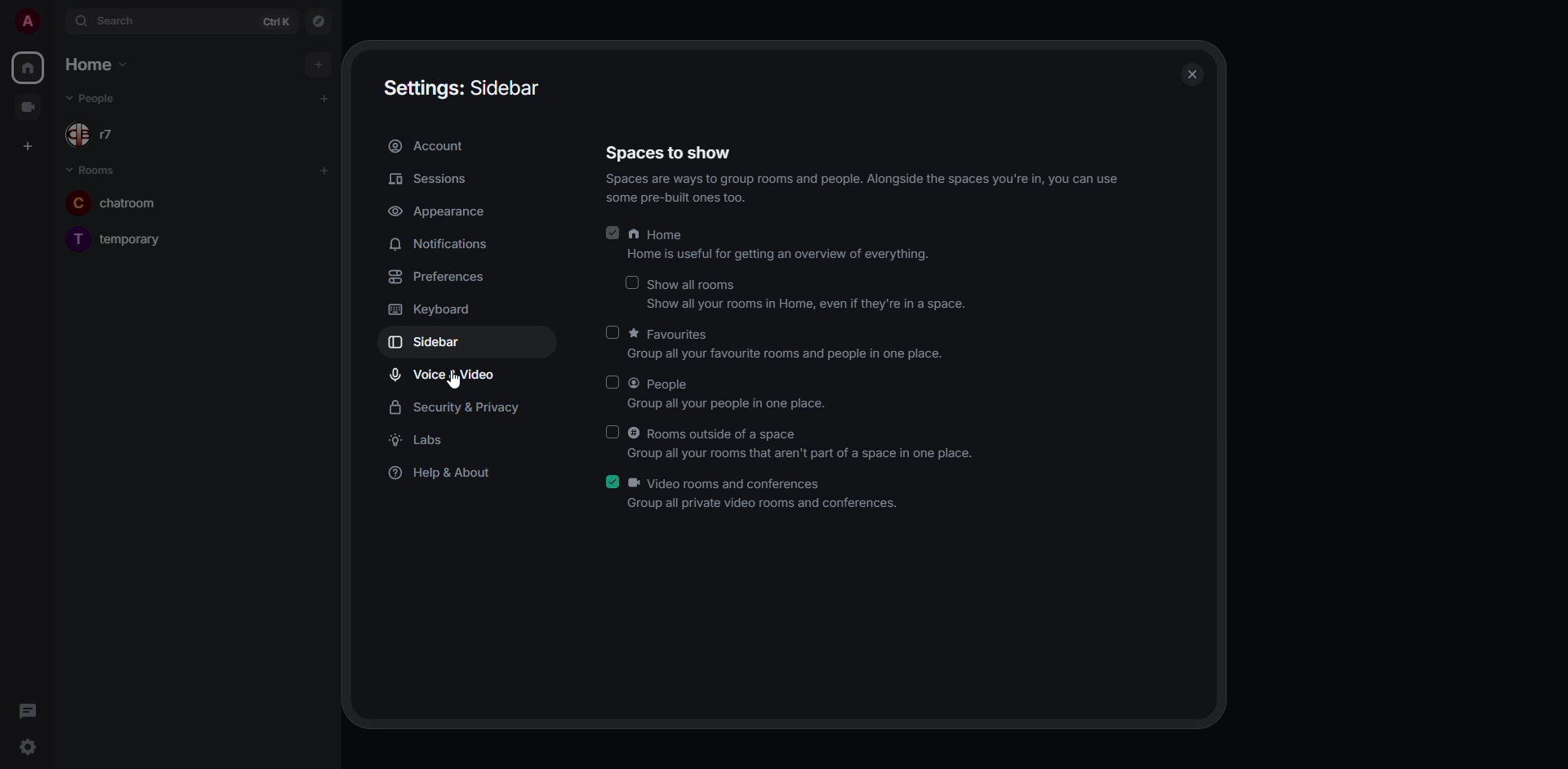  What do you see at coordinates (798, 257) in the screenshot?
I see `home is useful for getting an overview of everything.` at bounding box center [798, 257].